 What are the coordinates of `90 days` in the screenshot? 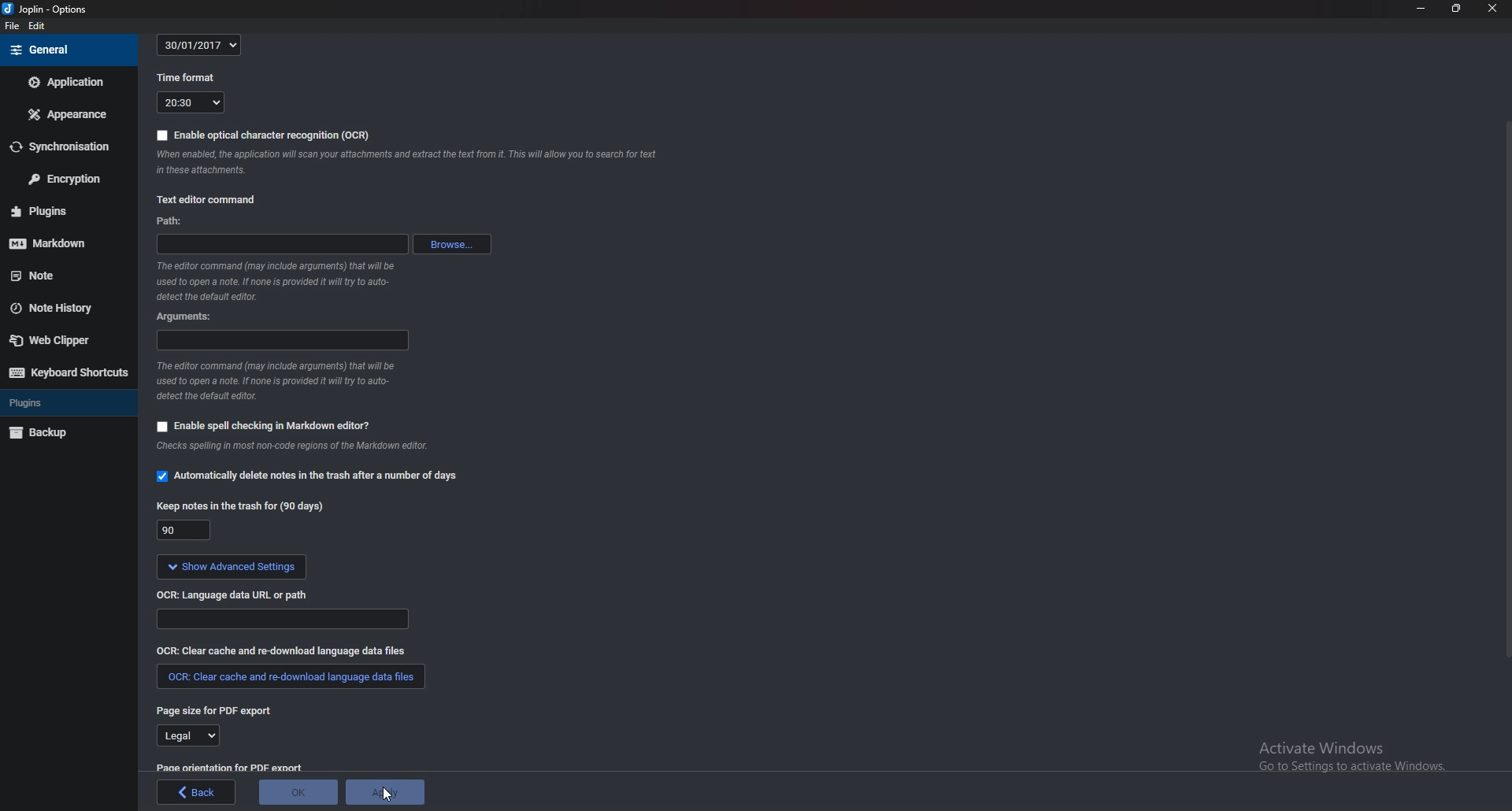 It's located at (184, 531).